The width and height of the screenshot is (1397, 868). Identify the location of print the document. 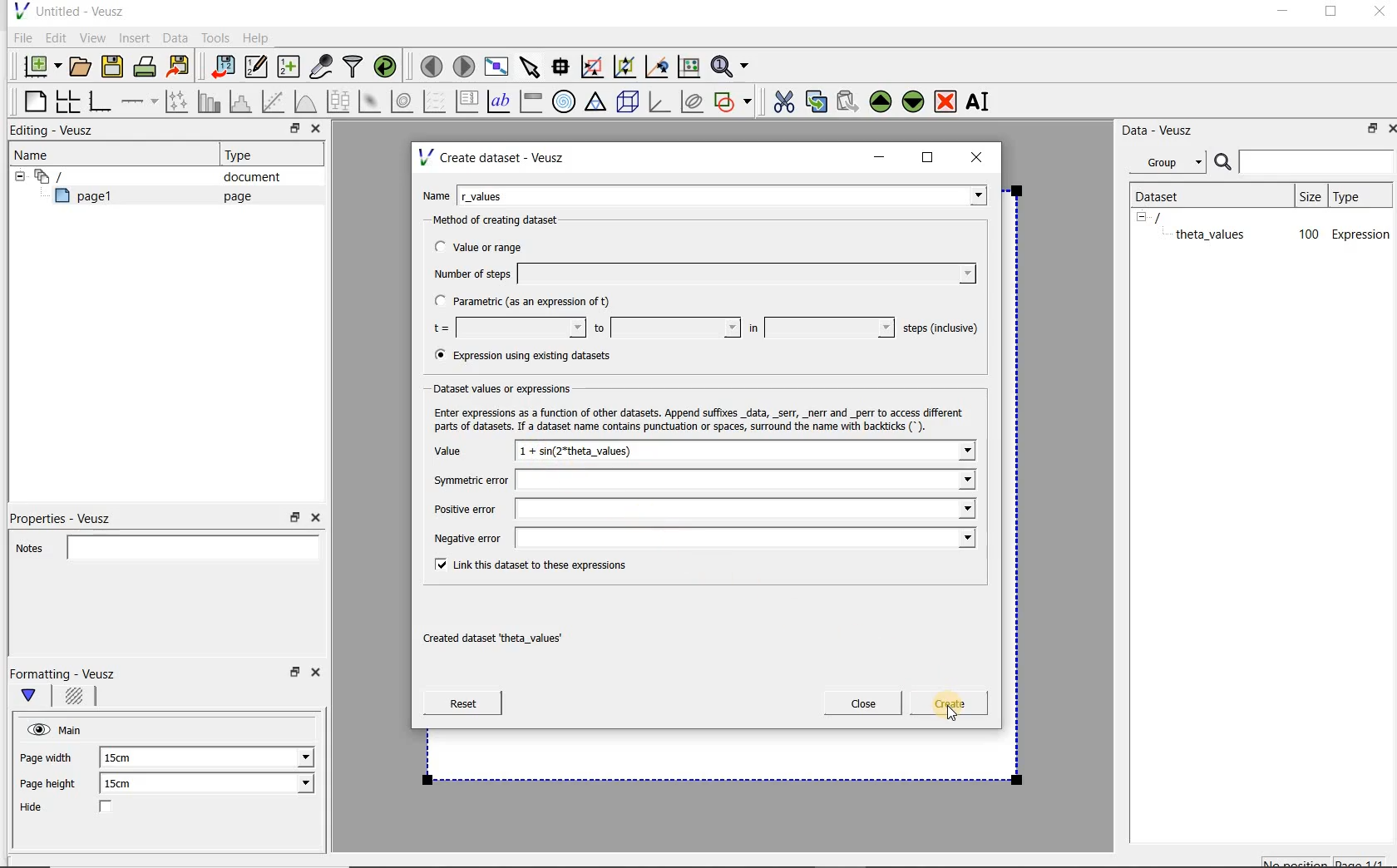
(148, 66).